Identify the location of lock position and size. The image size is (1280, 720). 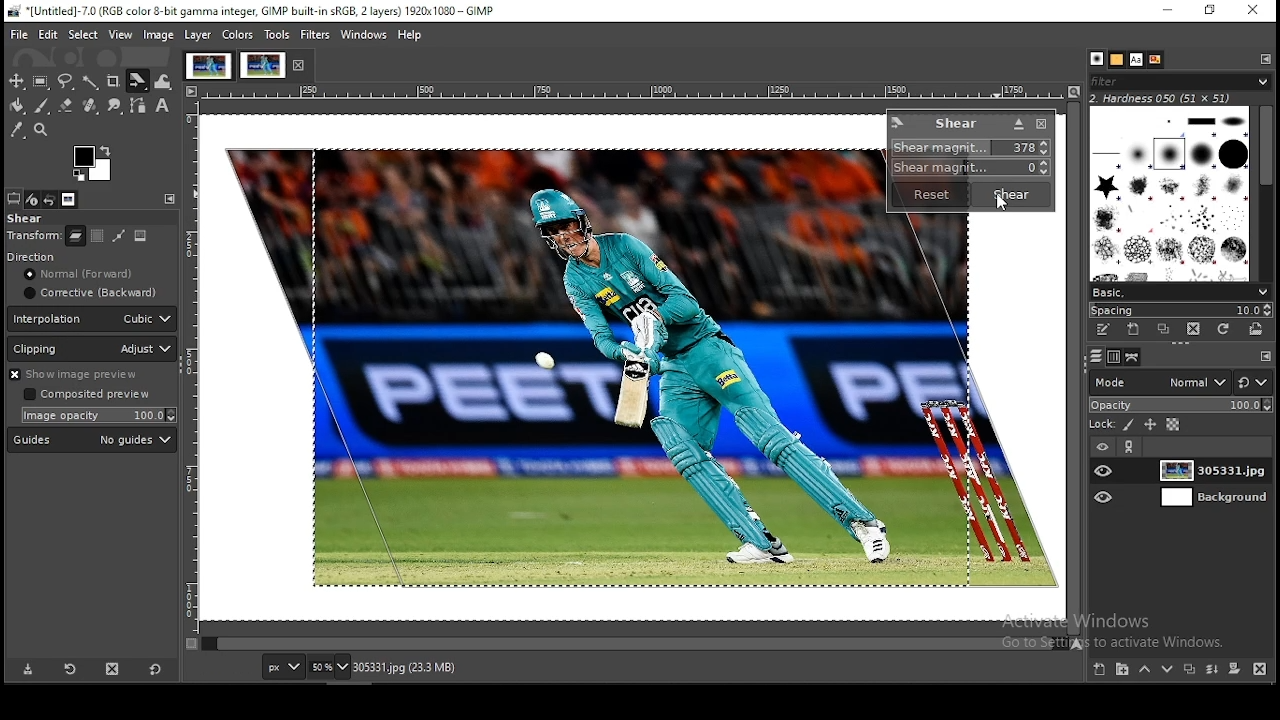
(1153, 426).